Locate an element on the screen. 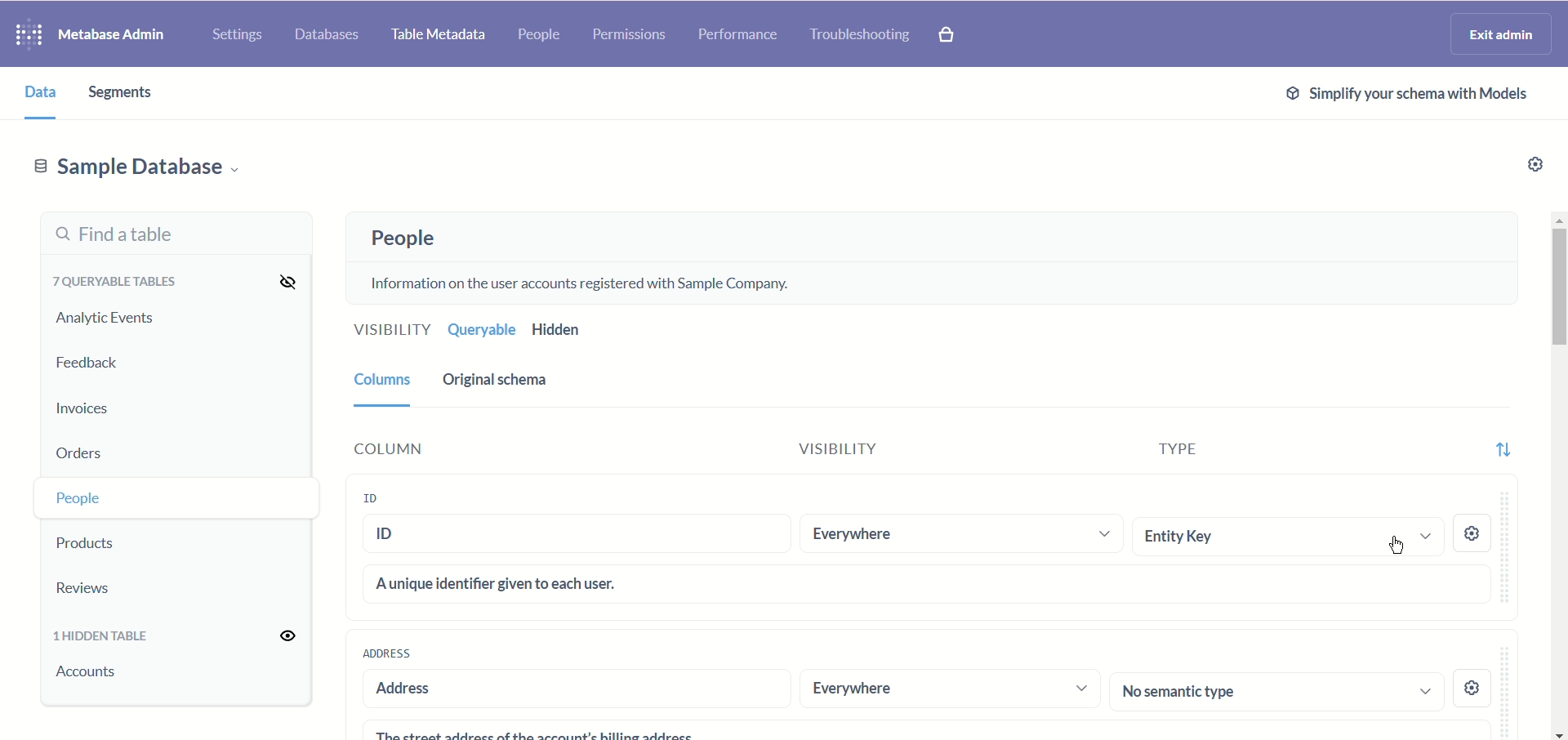  Metabase admin is located at coordinates (116, 32).